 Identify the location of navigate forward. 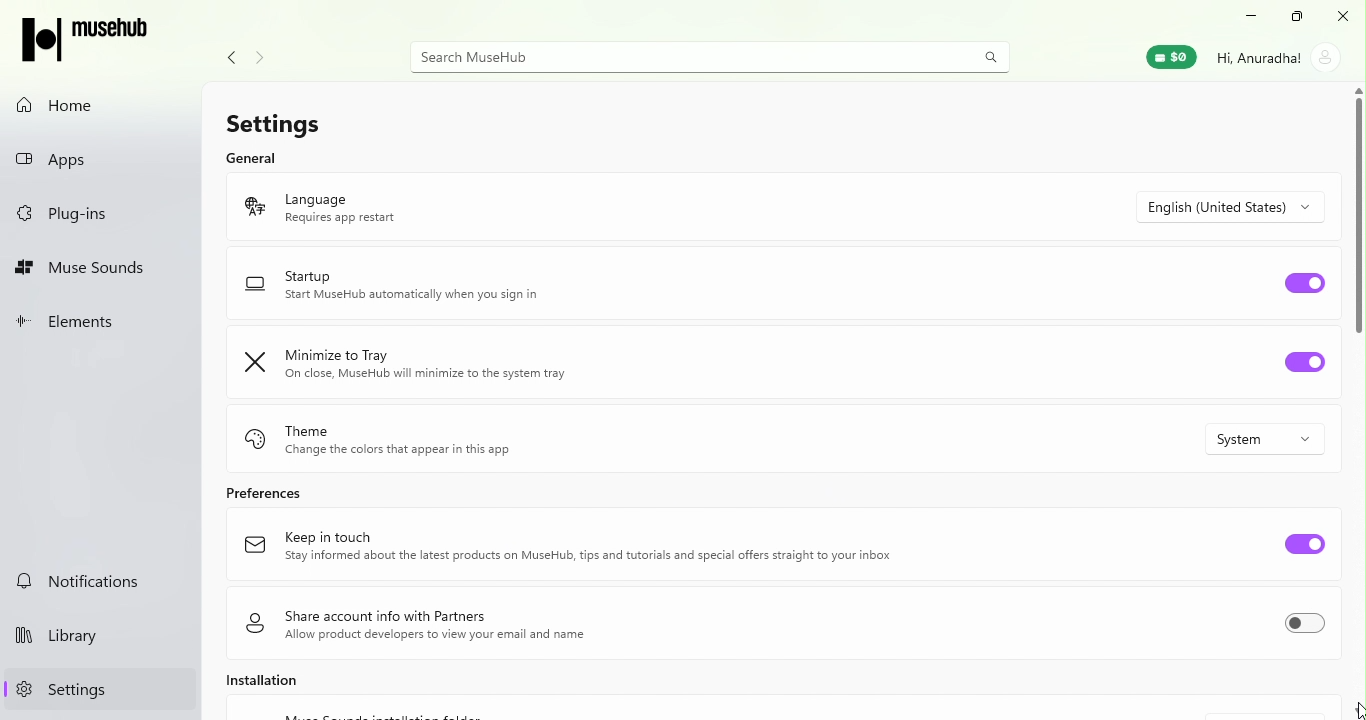
(259, 59).